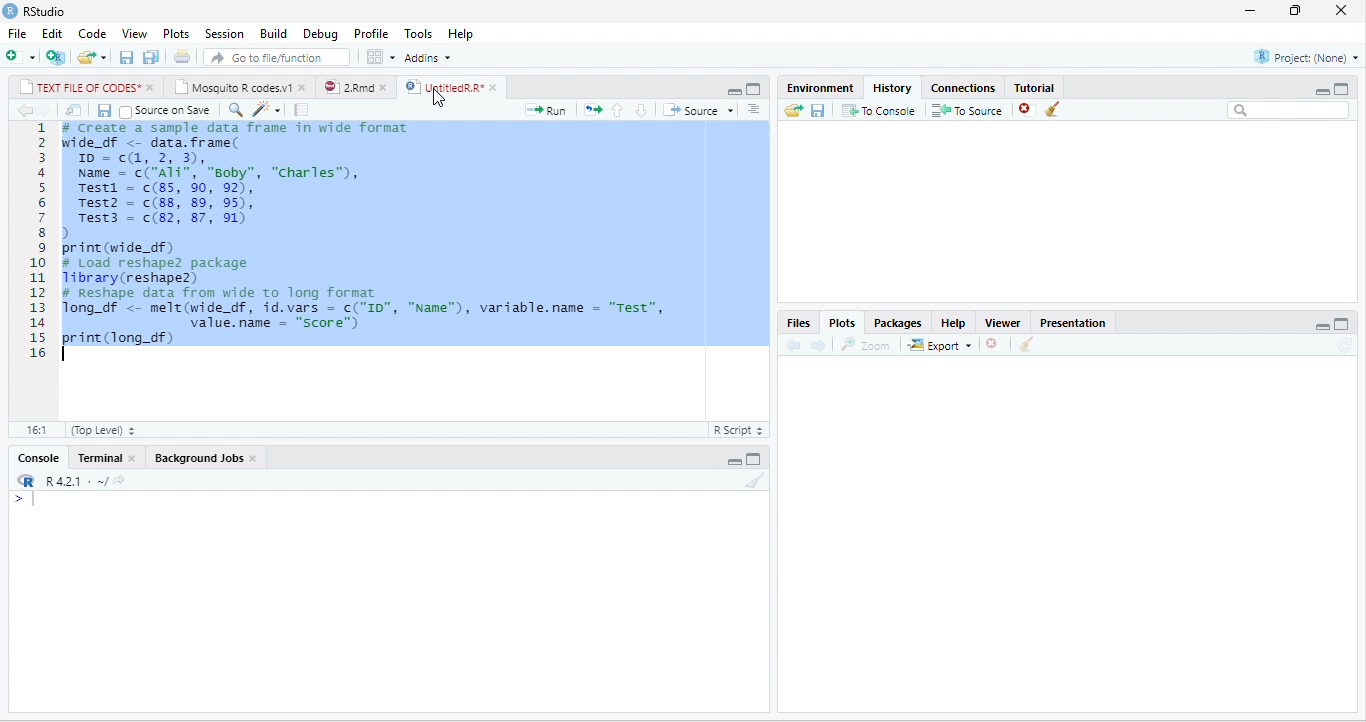  I want to click on To Console, so click(879, 109).